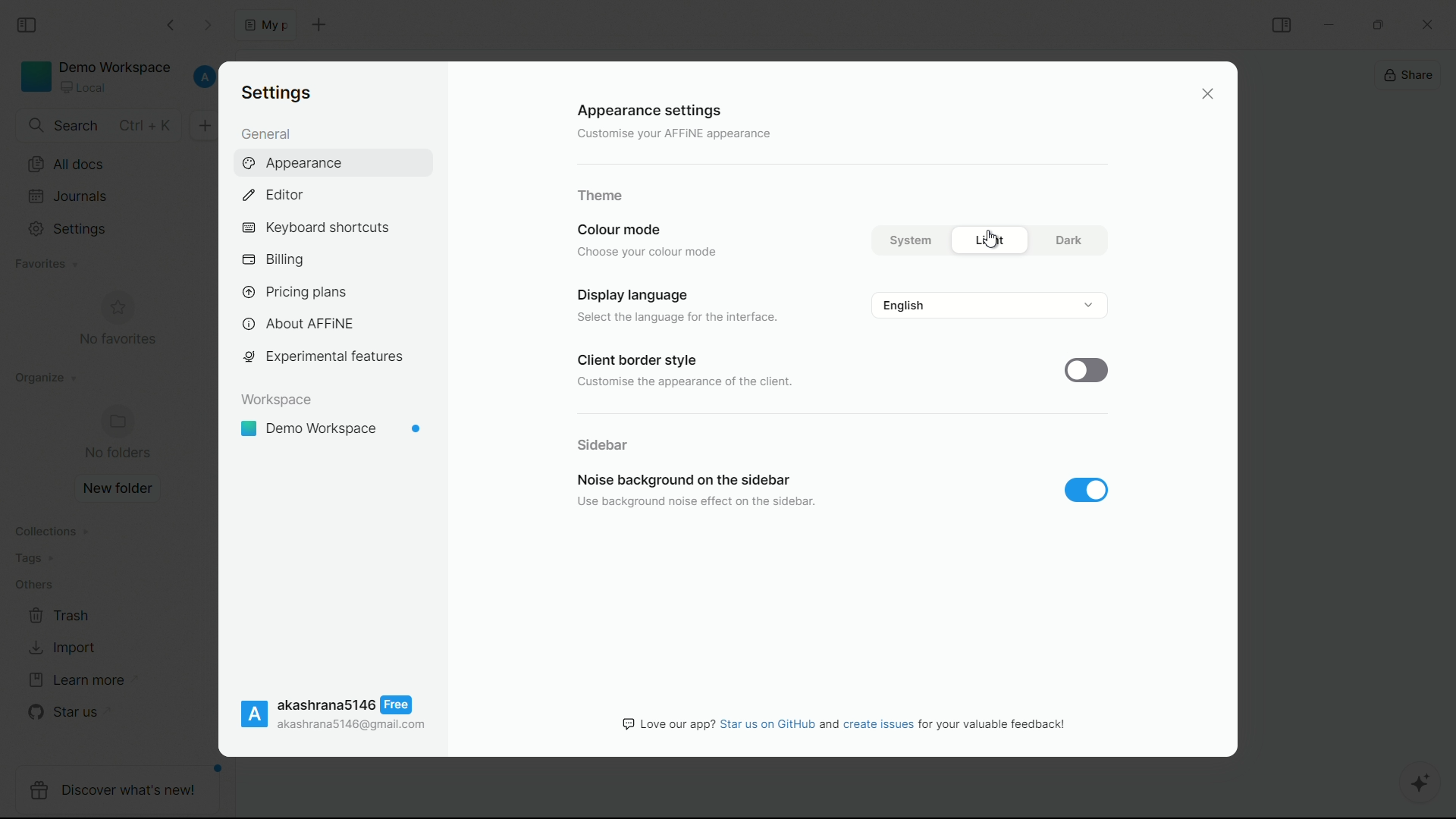 This screenshot has width=1456, height=819. What do you see at coordinates (275, 91) in the screenshot?
I see `Settings` at bounding box center [275, 91].